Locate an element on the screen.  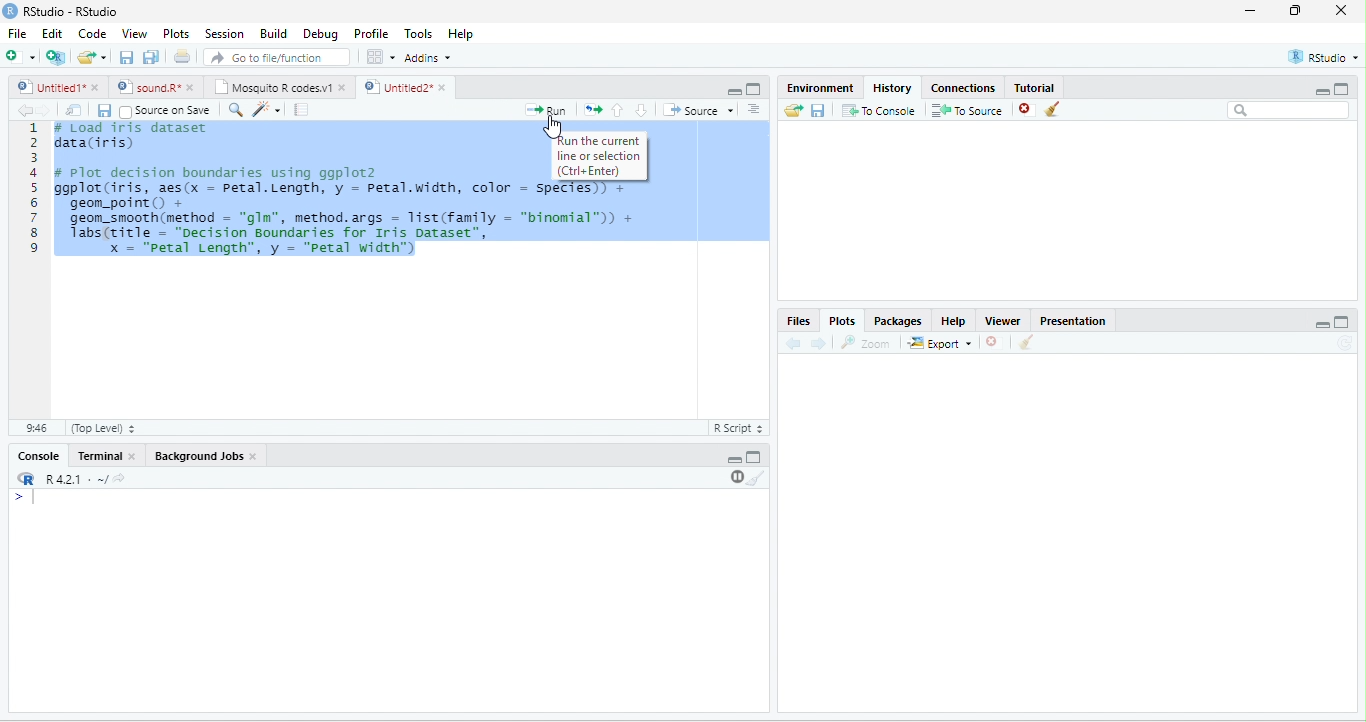
maximize is located at coordinates (754, 89).